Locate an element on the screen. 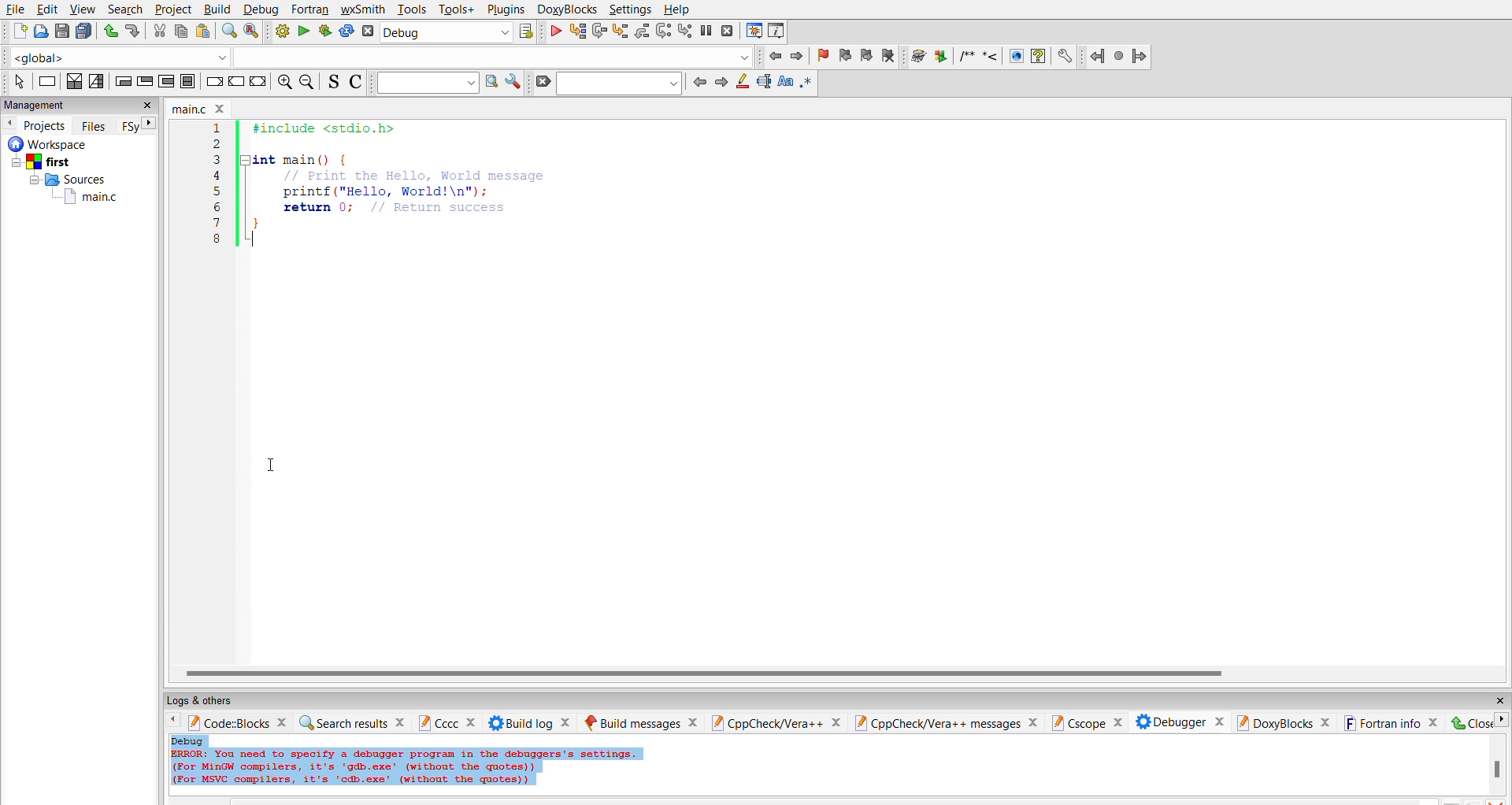  toggle comments is located at coordinates (358, 83).